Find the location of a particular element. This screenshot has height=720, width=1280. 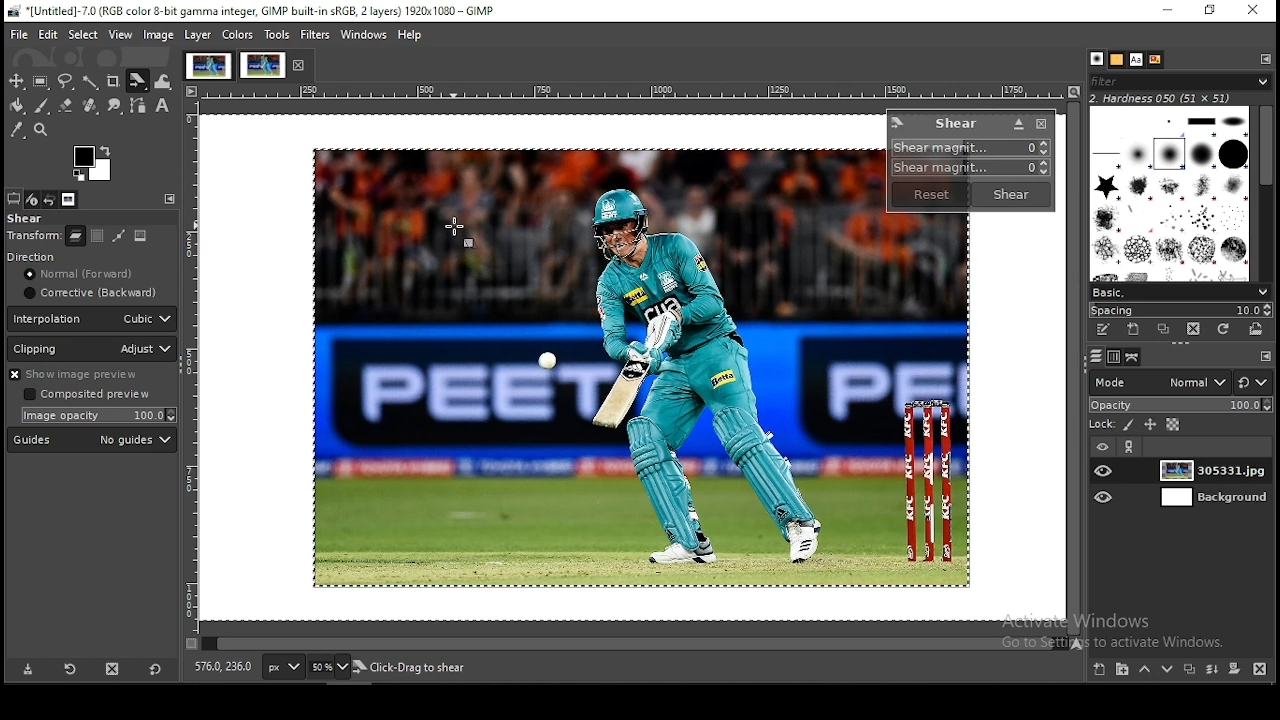

refresh brushes is located at coordinates (1224, 330).